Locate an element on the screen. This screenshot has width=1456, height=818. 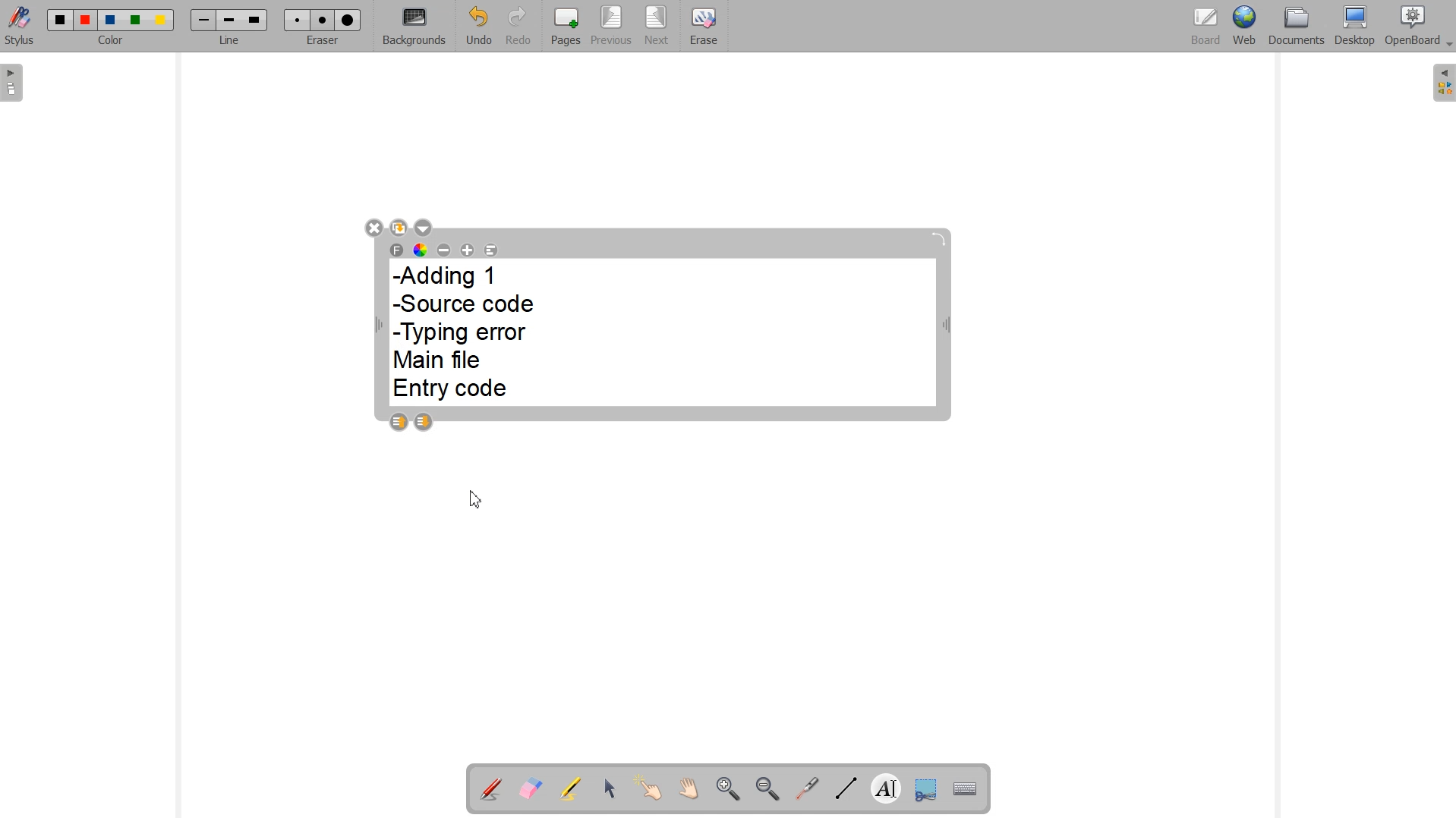
Small eraser is located at coordinates (298, 20).